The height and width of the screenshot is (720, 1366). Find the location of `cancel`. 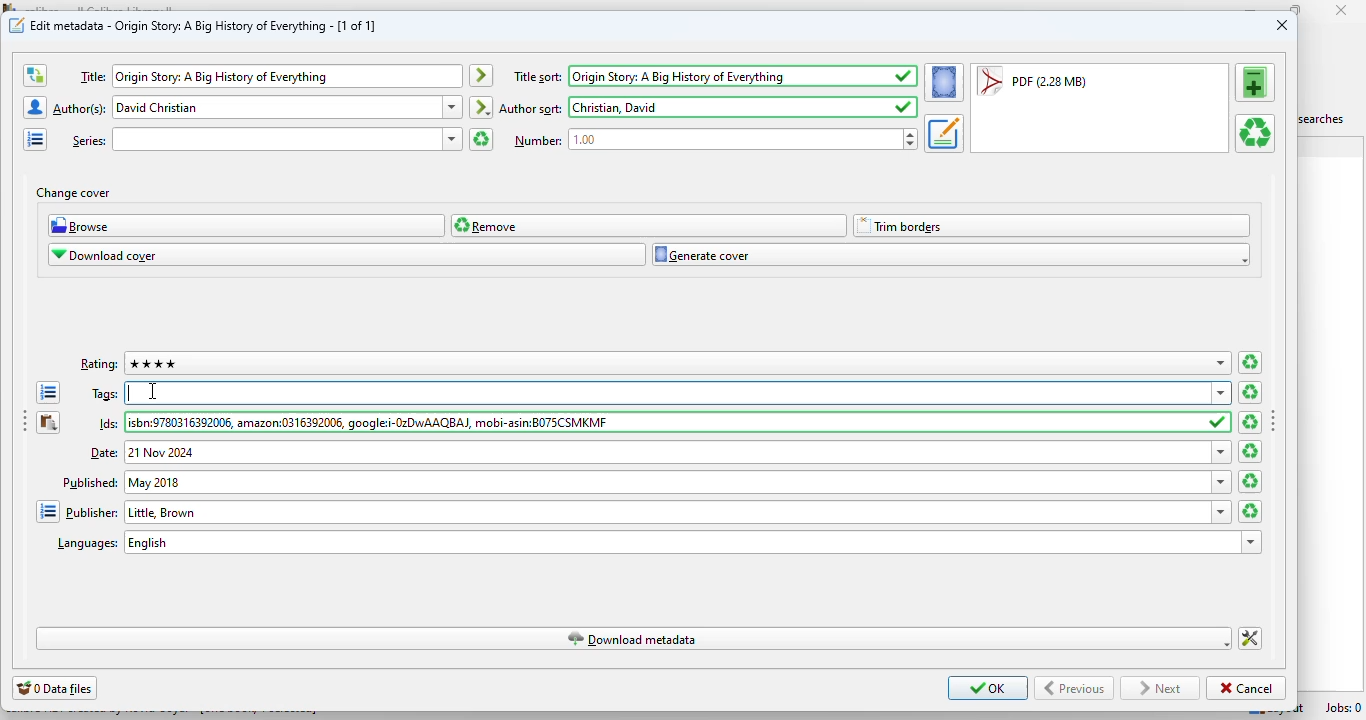

cancel is located at coordinates (1246, 689).